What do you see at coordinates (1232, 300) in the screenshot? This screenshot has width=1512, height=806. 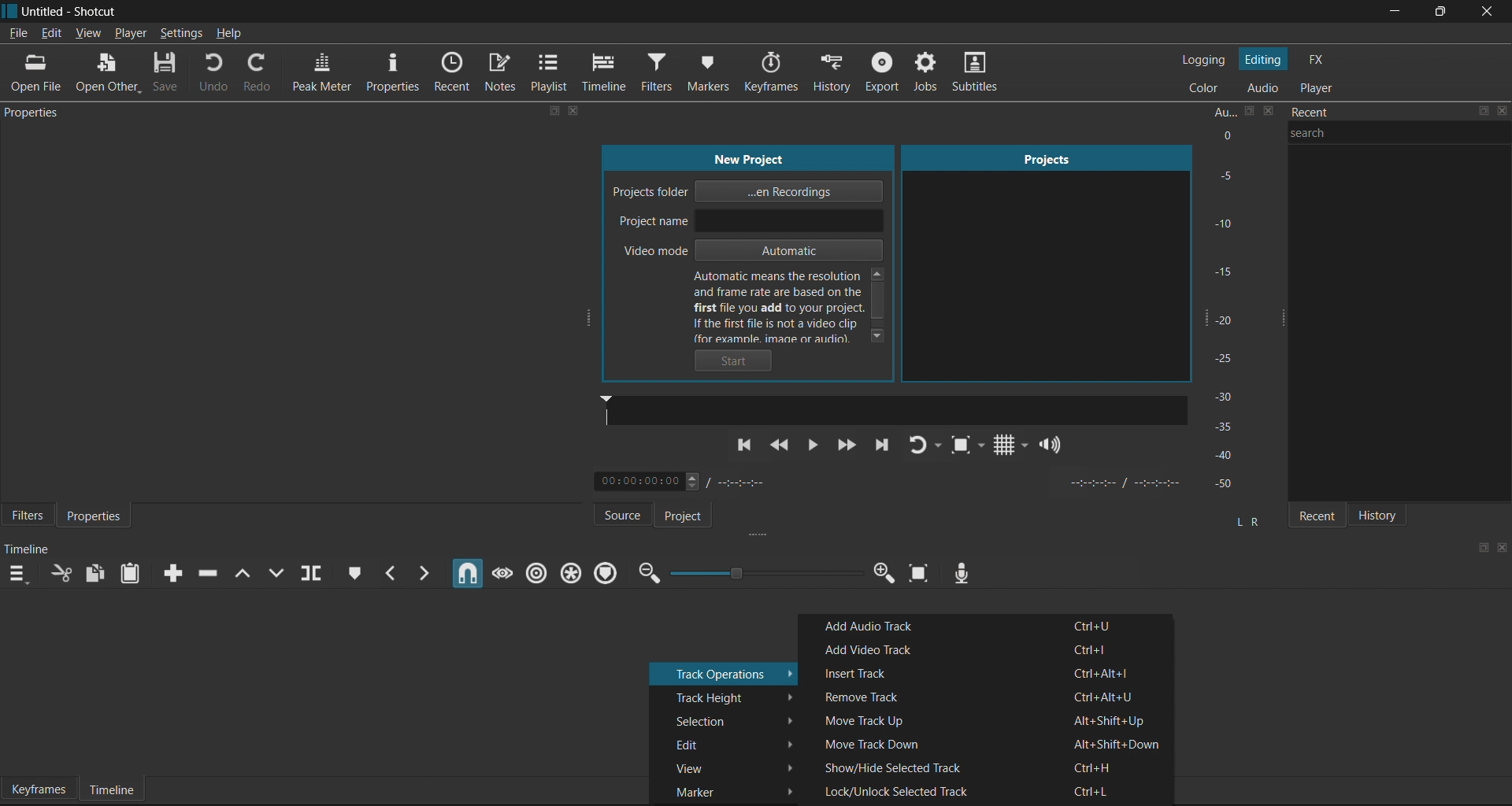 I see `Audio Peak Meter` at bounding box center [1232, 300].